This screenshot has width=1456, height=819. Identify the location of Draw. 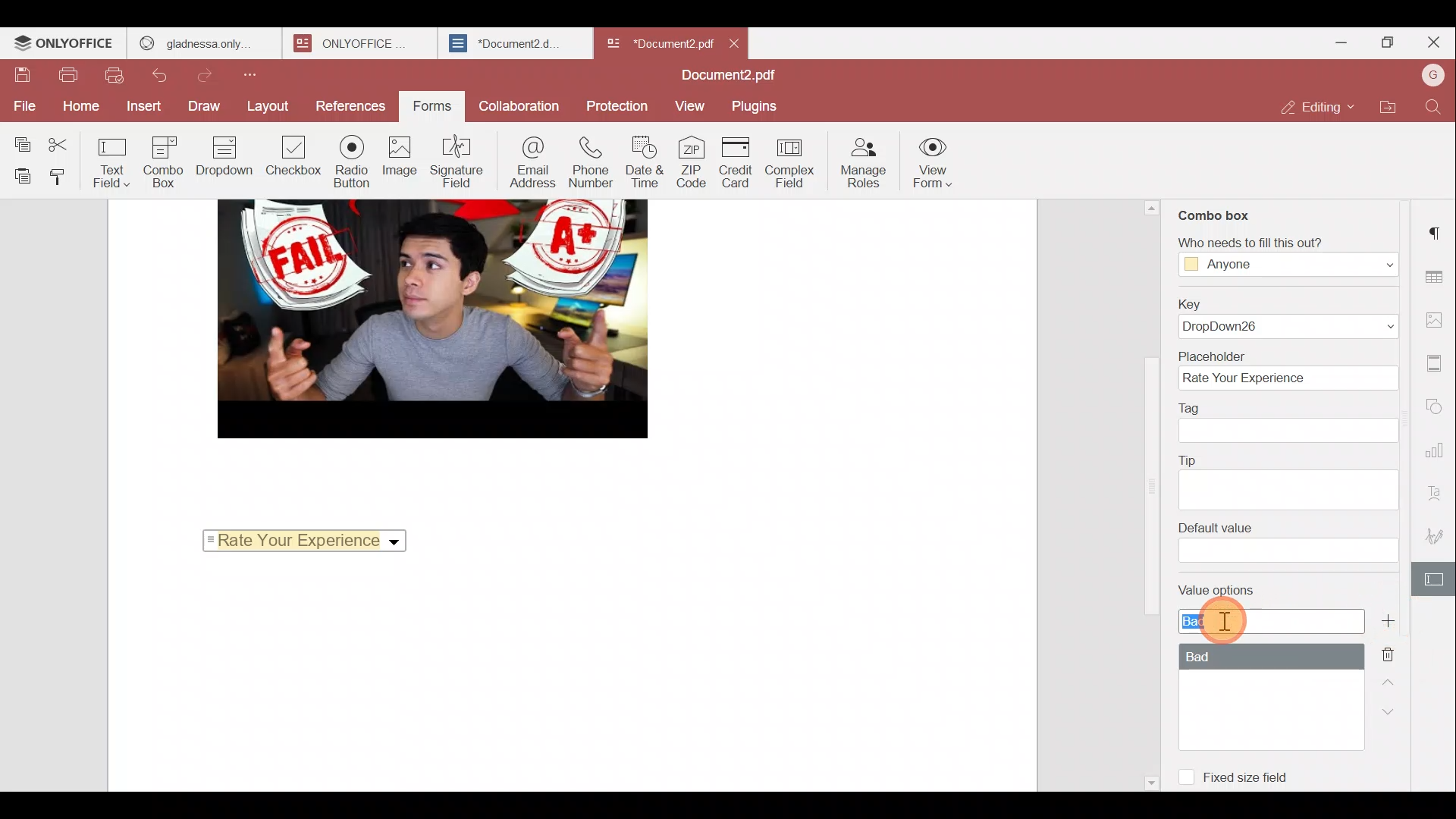
(206, 107).